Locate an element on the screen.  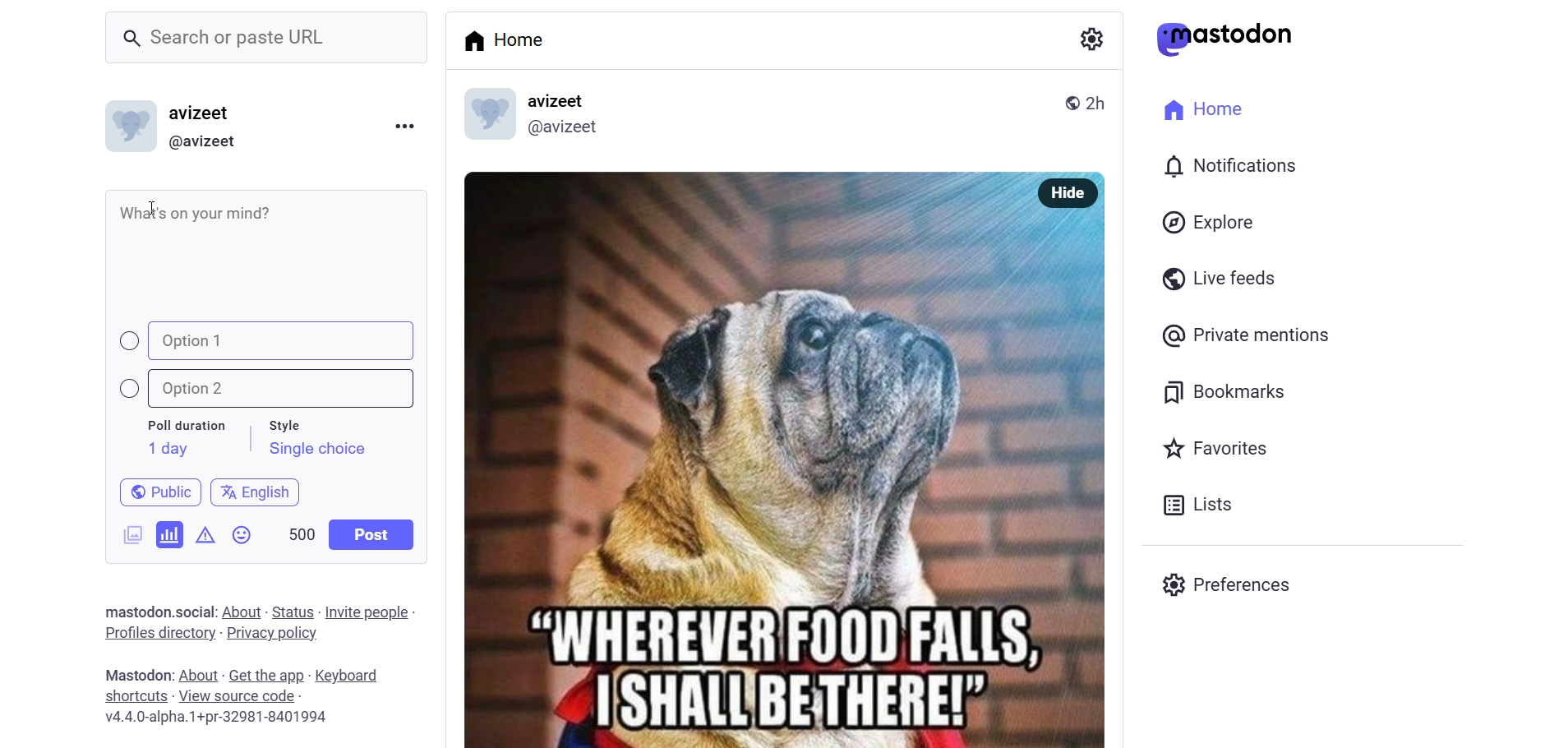
post is located at coordinates (373, 534).